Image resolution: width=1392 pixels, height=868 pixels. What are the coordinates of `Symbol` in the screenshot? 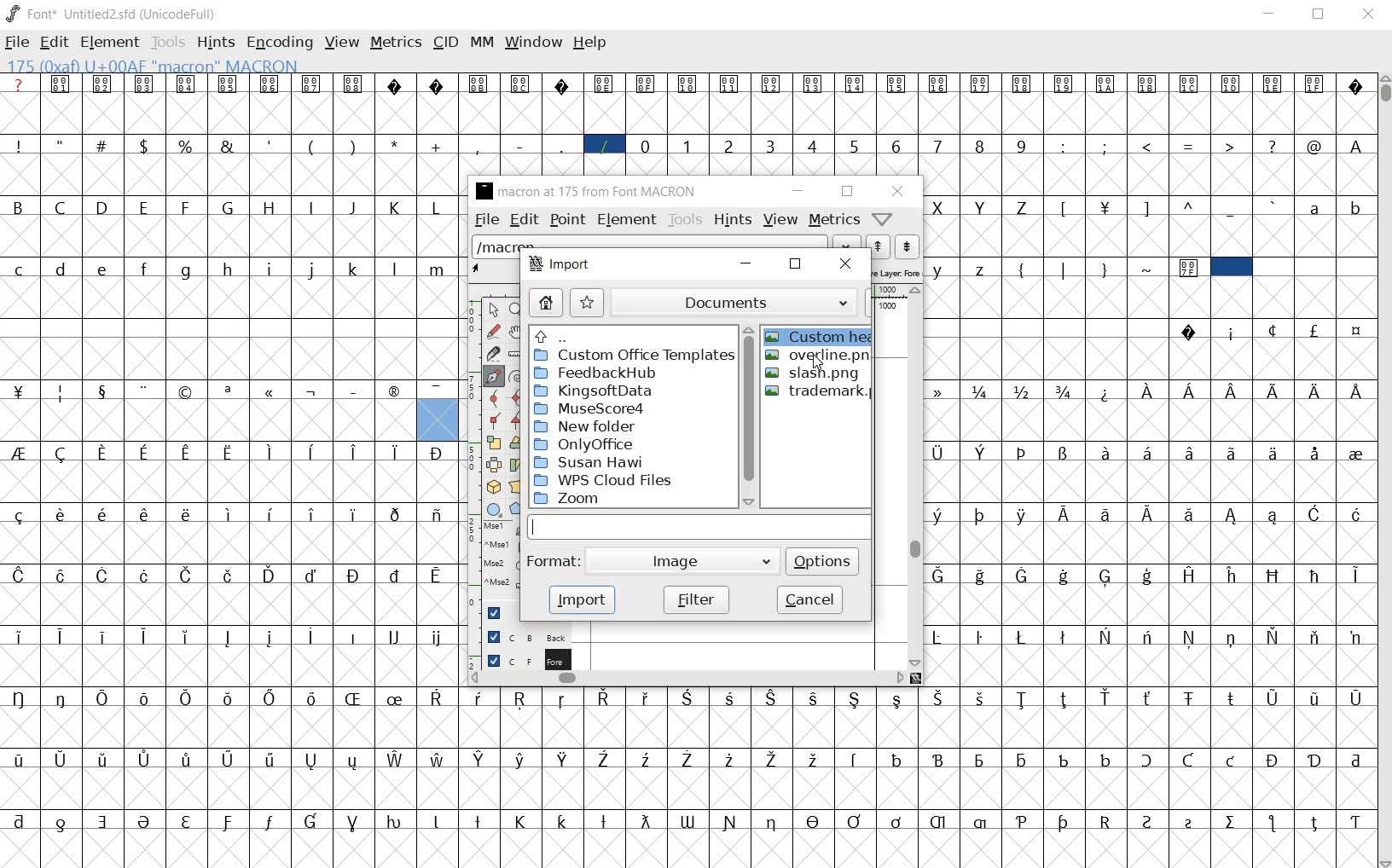 It's located at (314, 820).